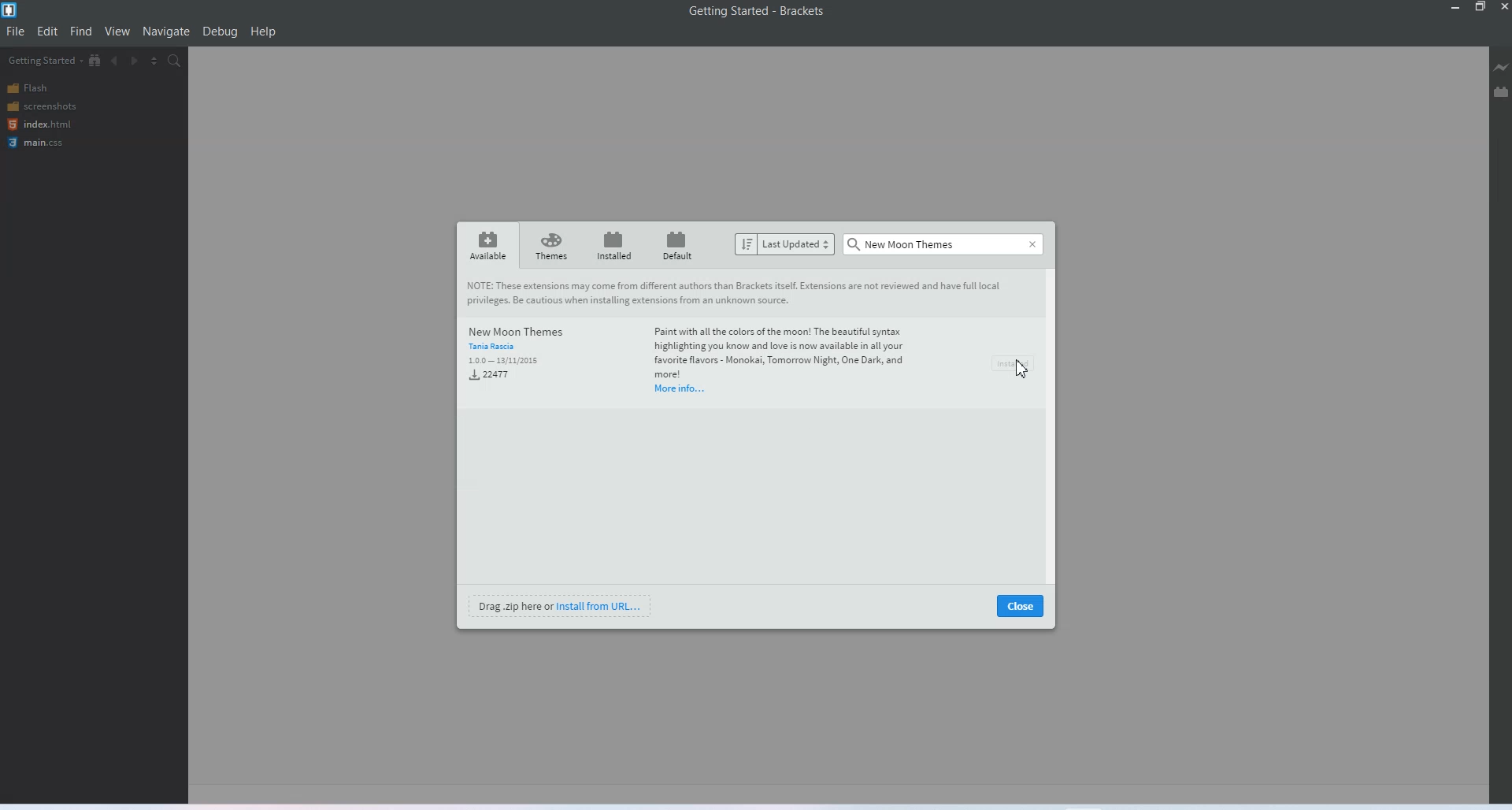 The height and width of the screenshot is (810, 1512). What do you see at coordinates (785, 243) in the screenshot?
I see `Last updated` at bounding box center [785, 243].